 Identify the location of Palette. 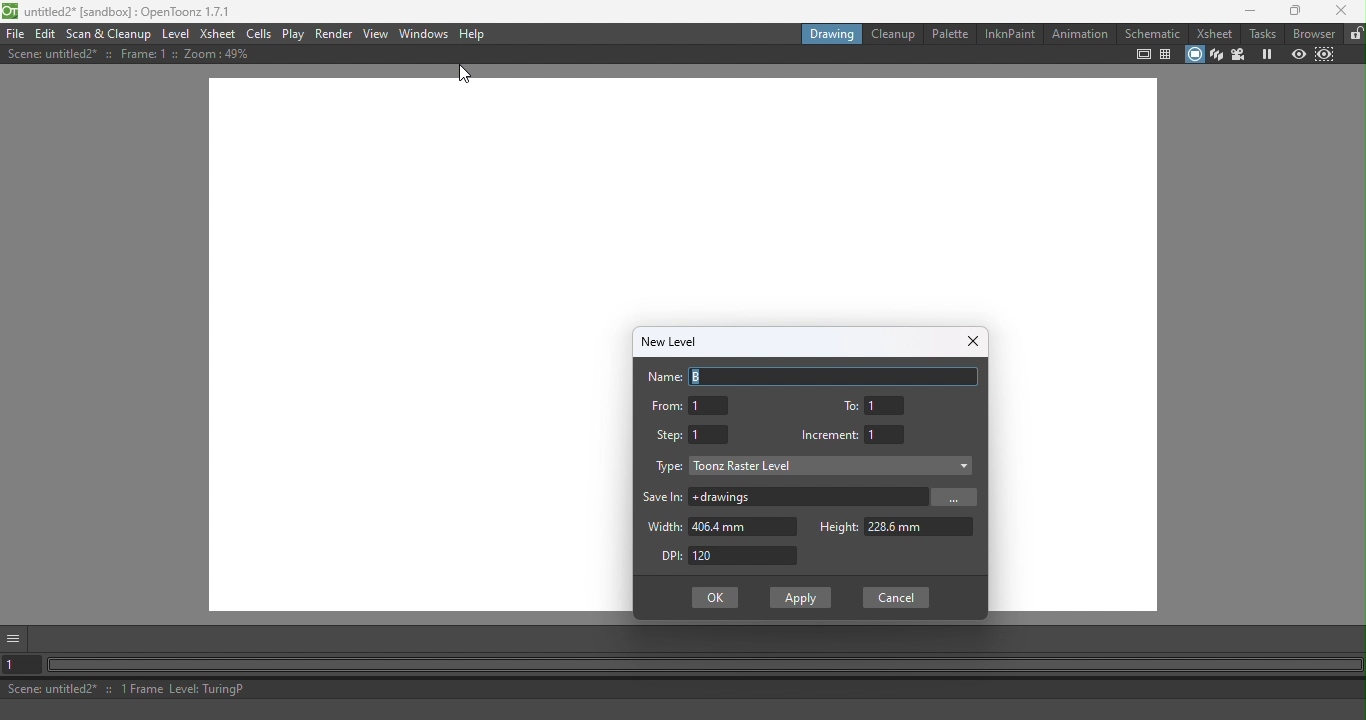
(949, 34).